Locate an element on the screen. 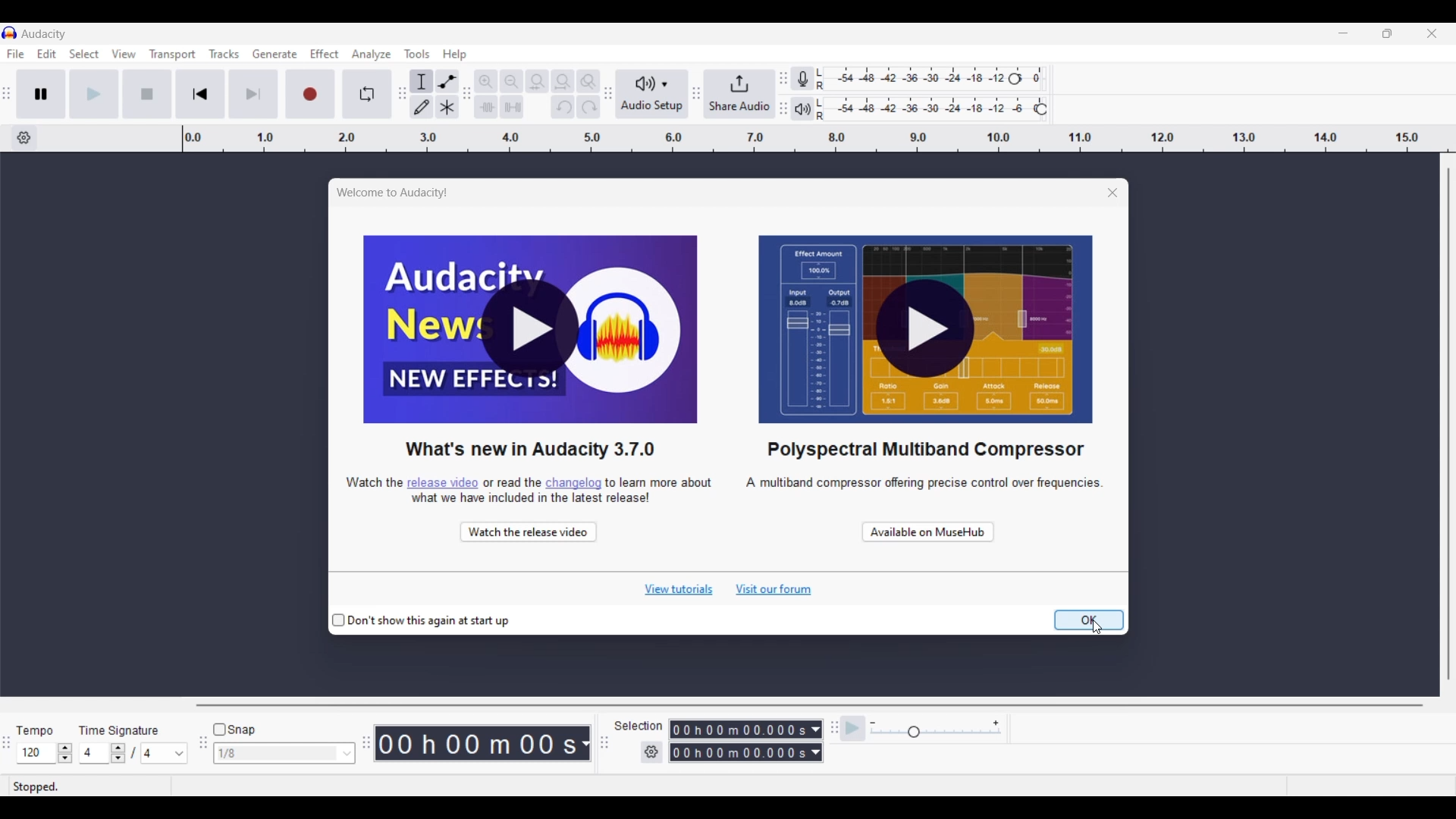  Select menu is located at coordinates (85, 54).